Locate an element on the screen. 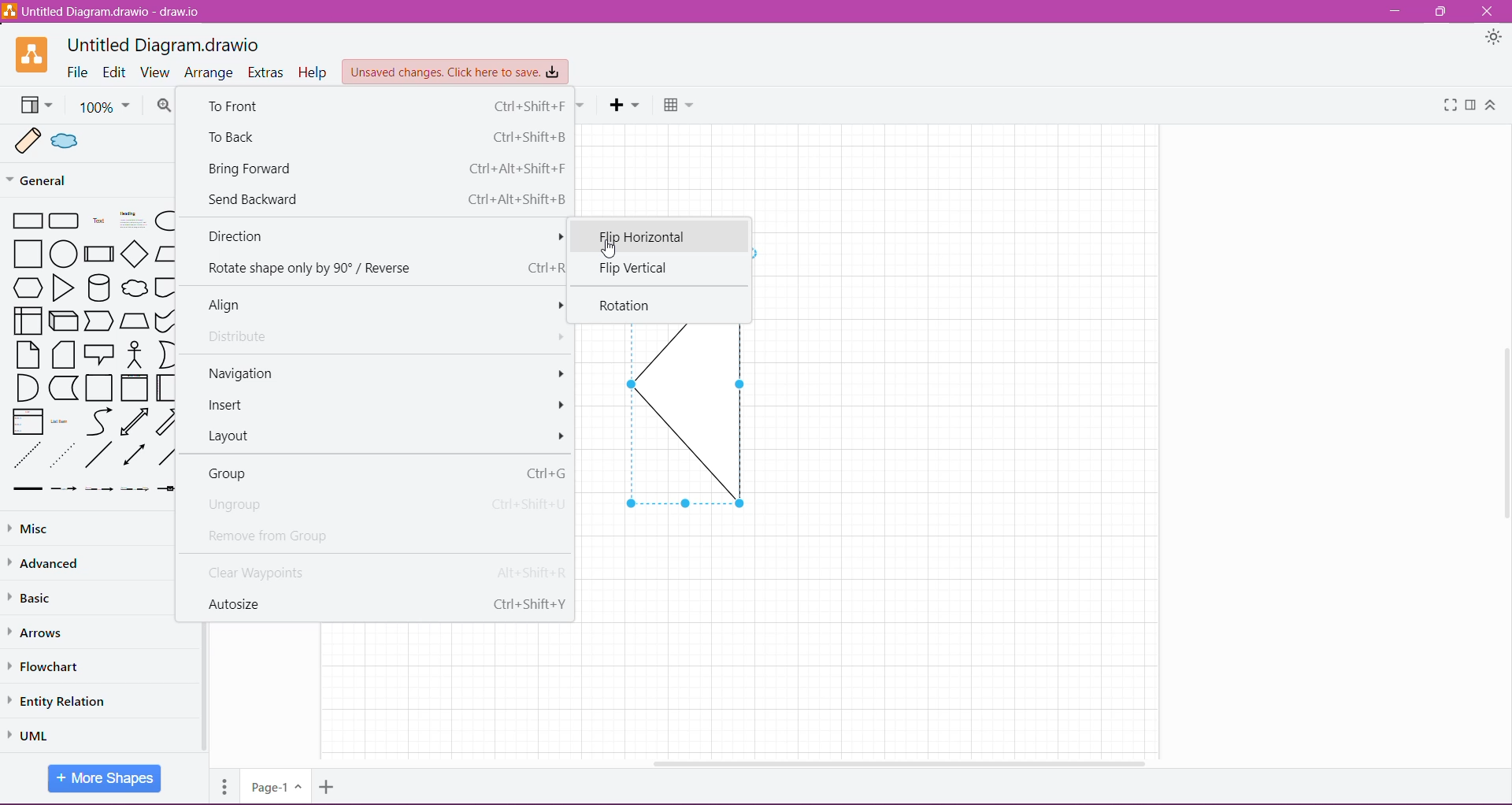  Rotate shape only by 90° / Reverse Ctrl+R is located at coordinates (384, 269).